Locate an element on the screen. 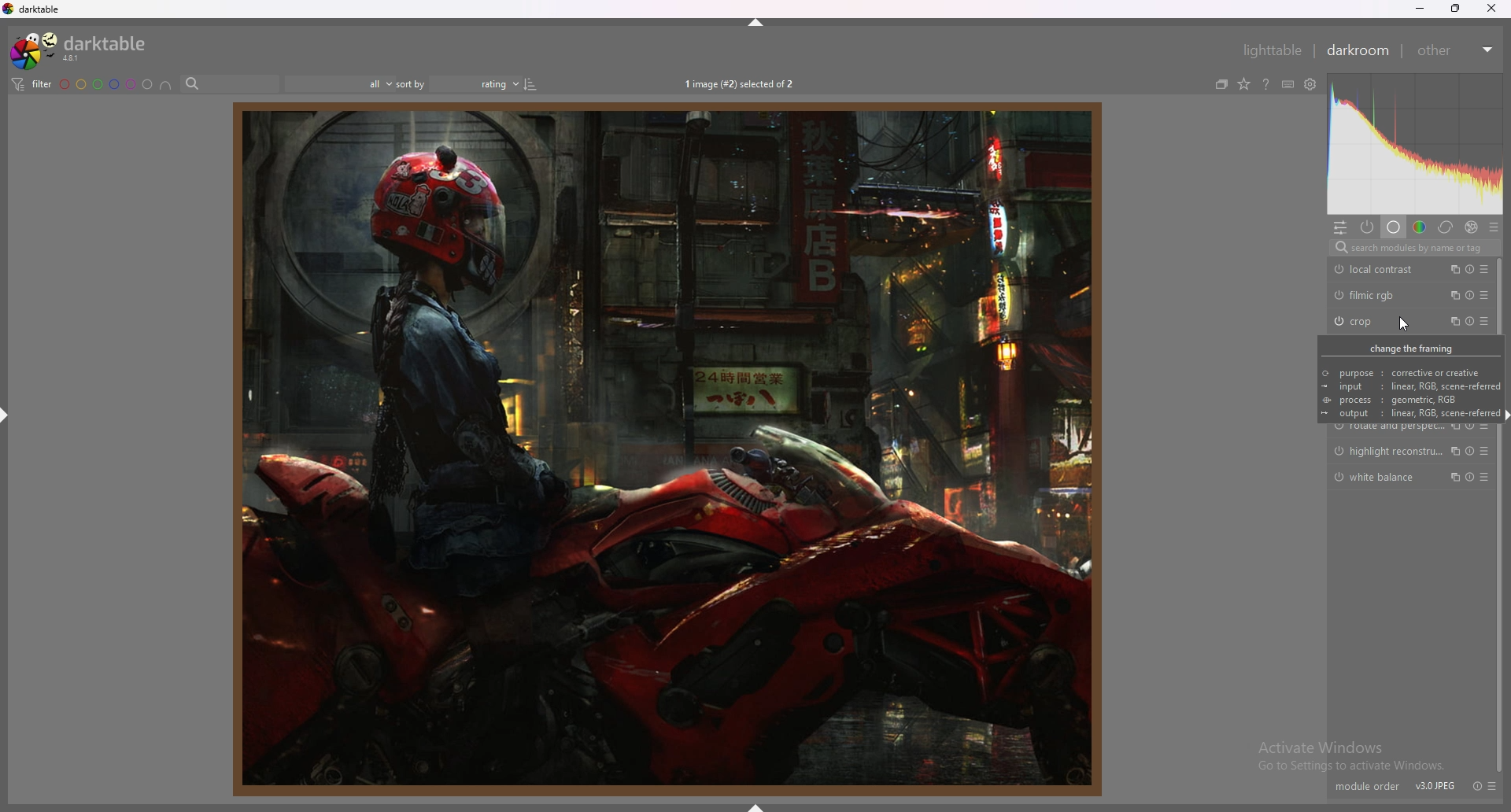 The height and width of the screenshot is (812, 1511). lighttable is located at coordinates (1272, 50).